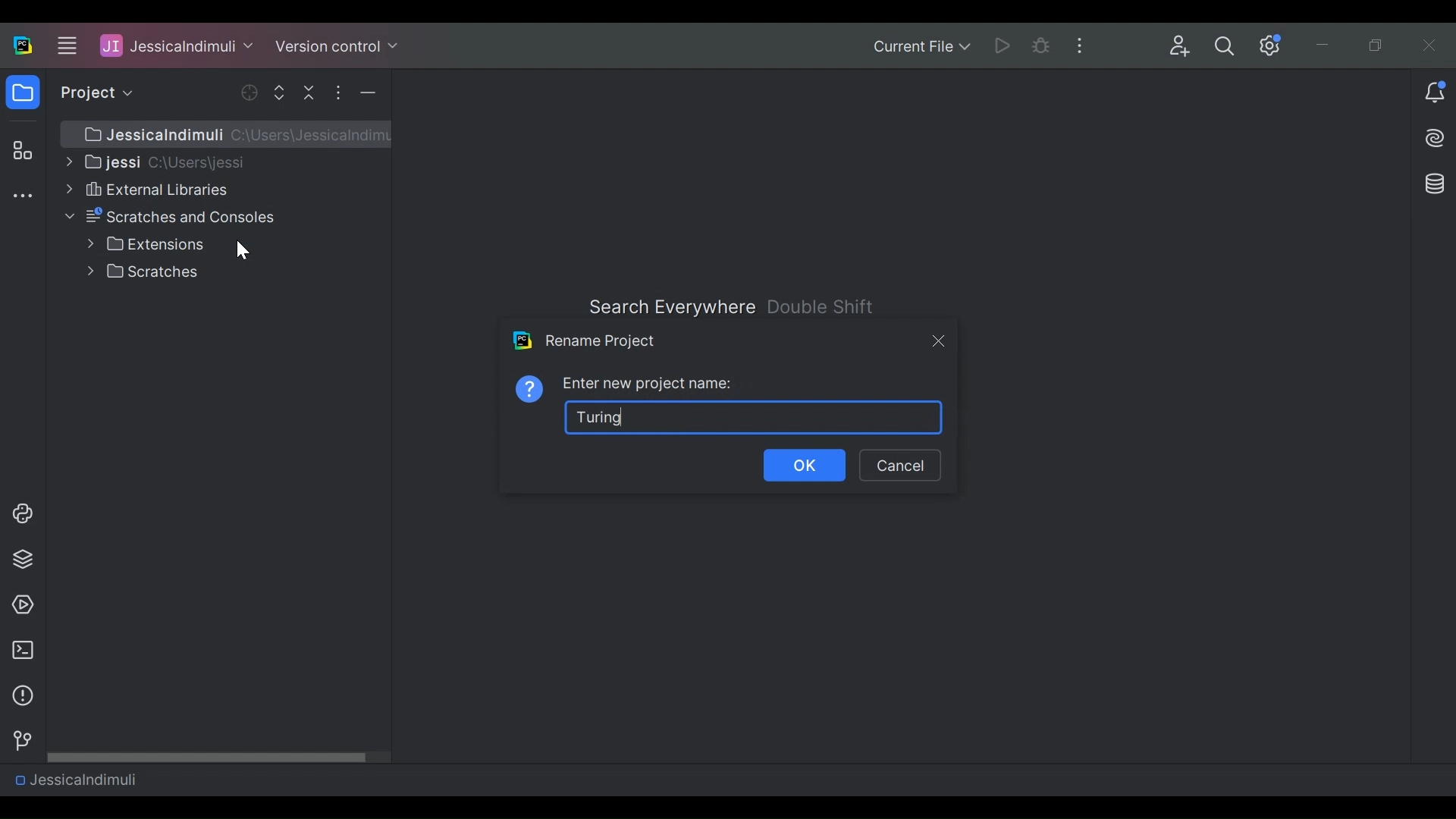 The width and height of the screenshot is (1456, 819). What do you see at coordinates (1435, 94) in the screenshot?
I see `Notification` at bounding box center [1435, 94].